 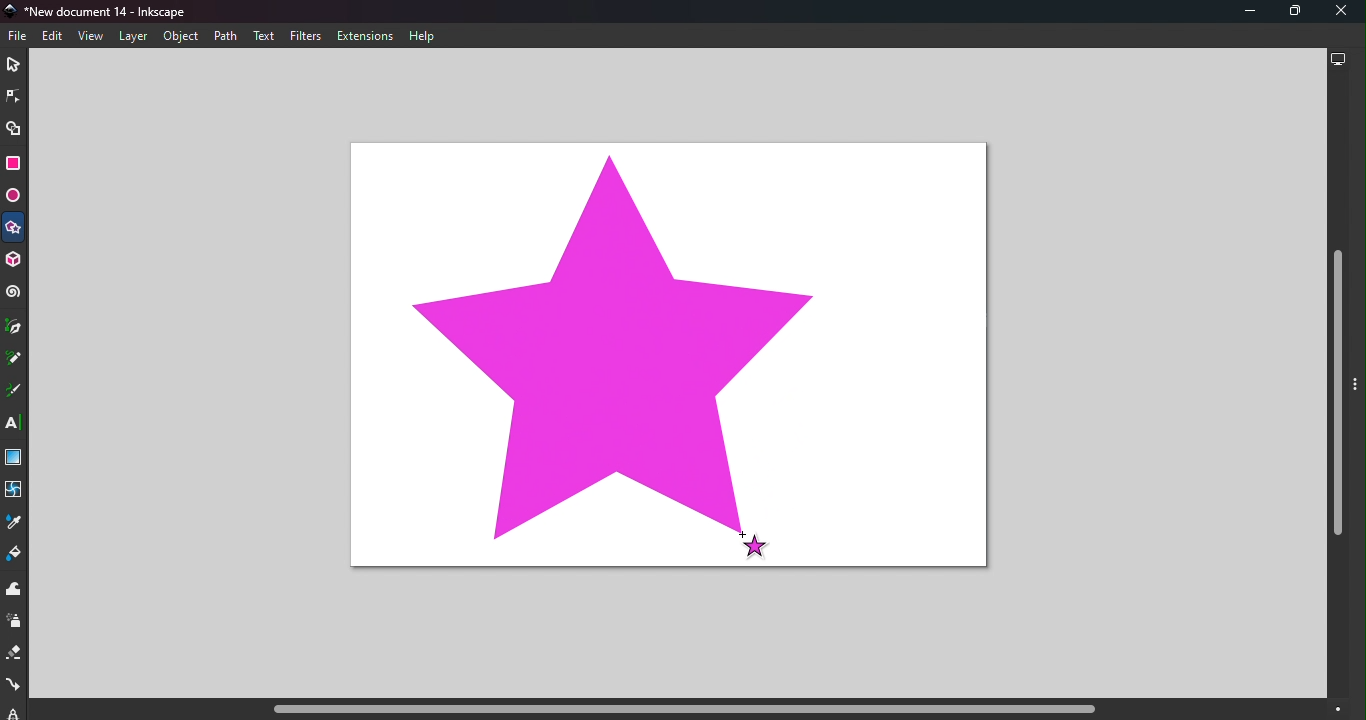 What do you see at coordinates (15, 424) in the screenshot?
I see `Text tool` at bounding box center [15, 424].